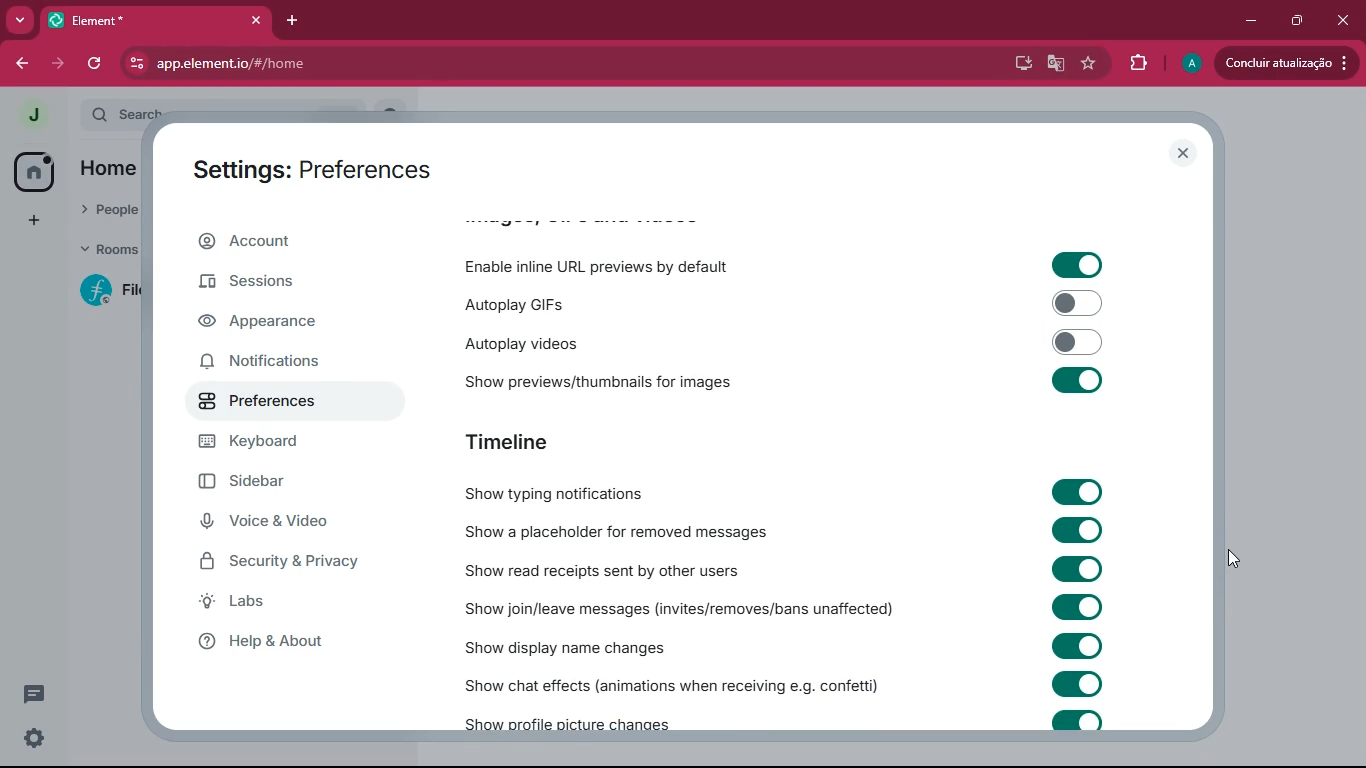 Image resolution: width=1366 pixels, height=768 pixels. What do you see at coordinates (280, 563) in the screenshot?
I see `security & privacy` at bounding box center [280, 563].